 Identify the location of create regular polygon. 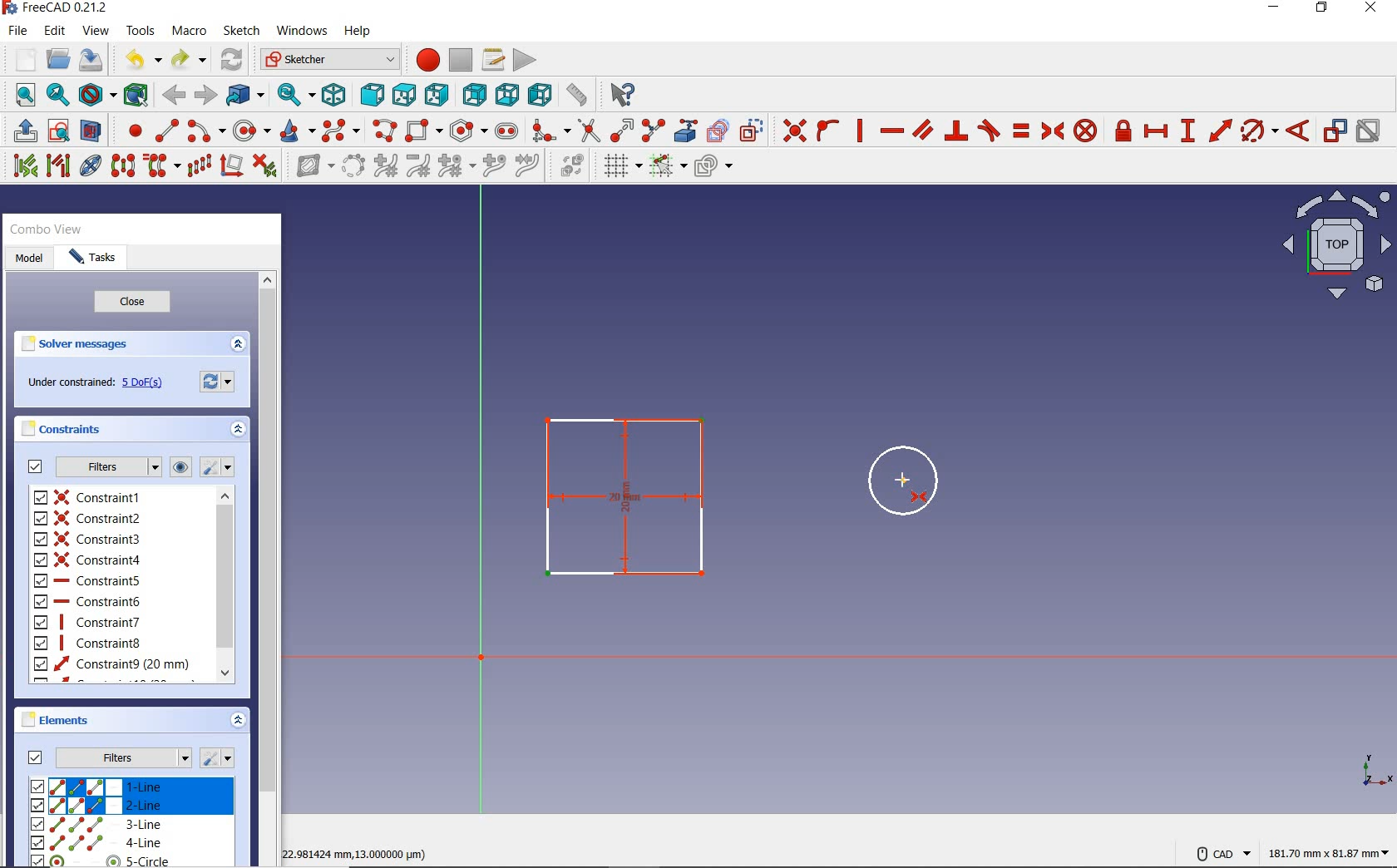
(468, 129).